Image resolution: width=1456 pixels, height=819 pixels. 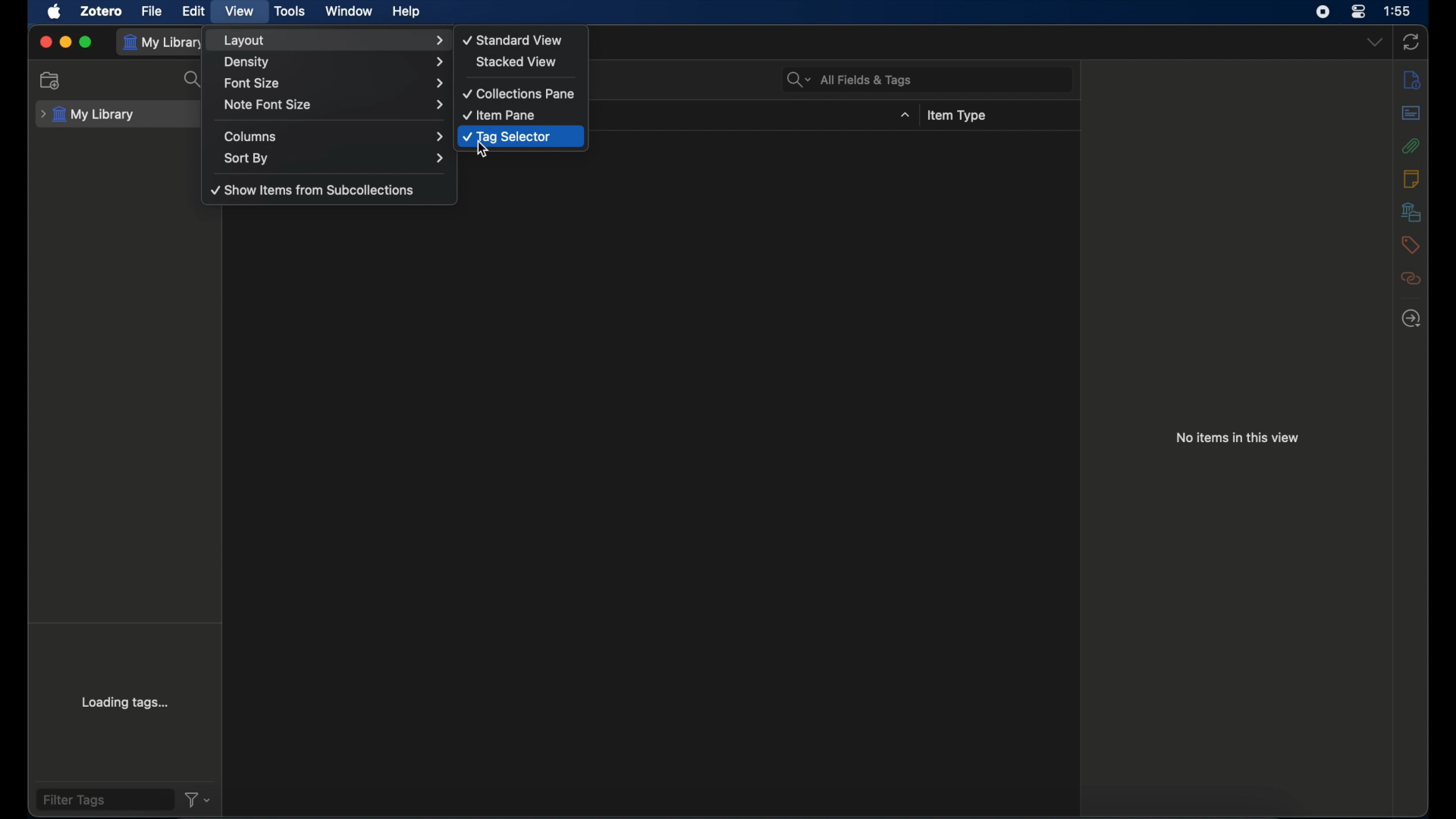 I want to click on search, so click(x=196, y=80).